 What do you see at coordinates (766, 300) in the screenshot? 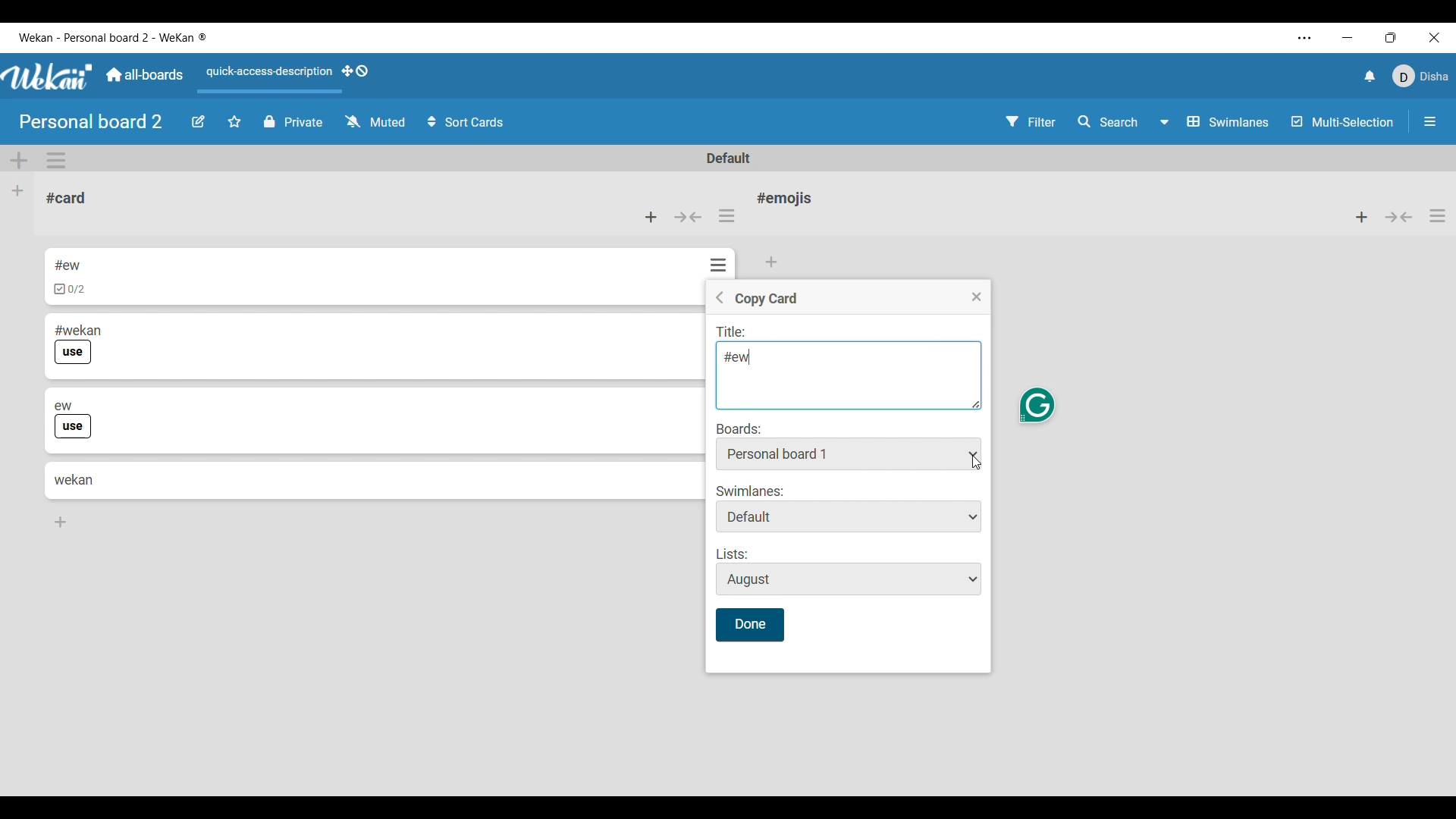
I see `Setting name` at bounding box center [766, 300].